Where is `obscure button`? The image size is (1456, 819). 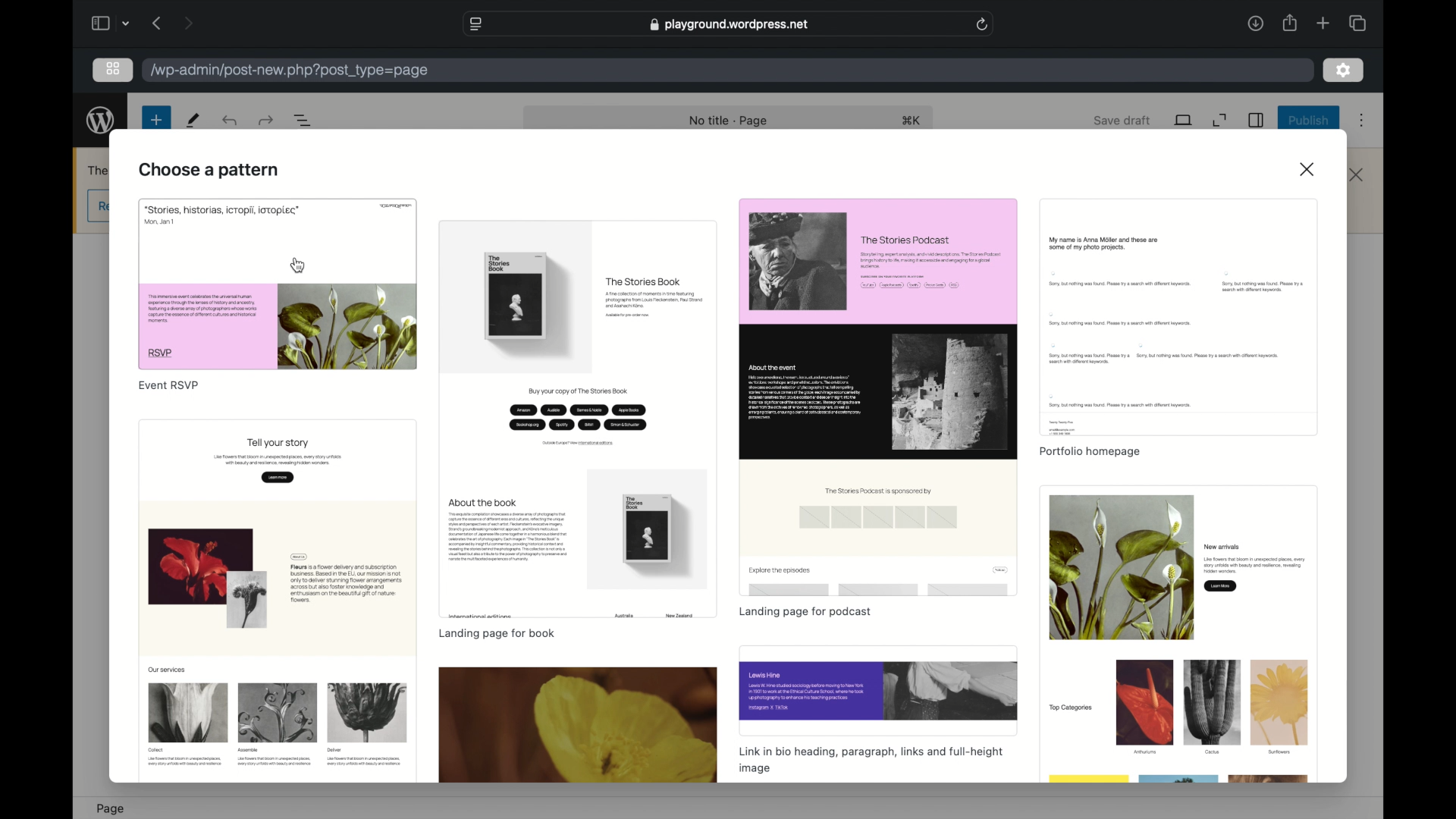 obscure button is located at coordinates (97, 206).